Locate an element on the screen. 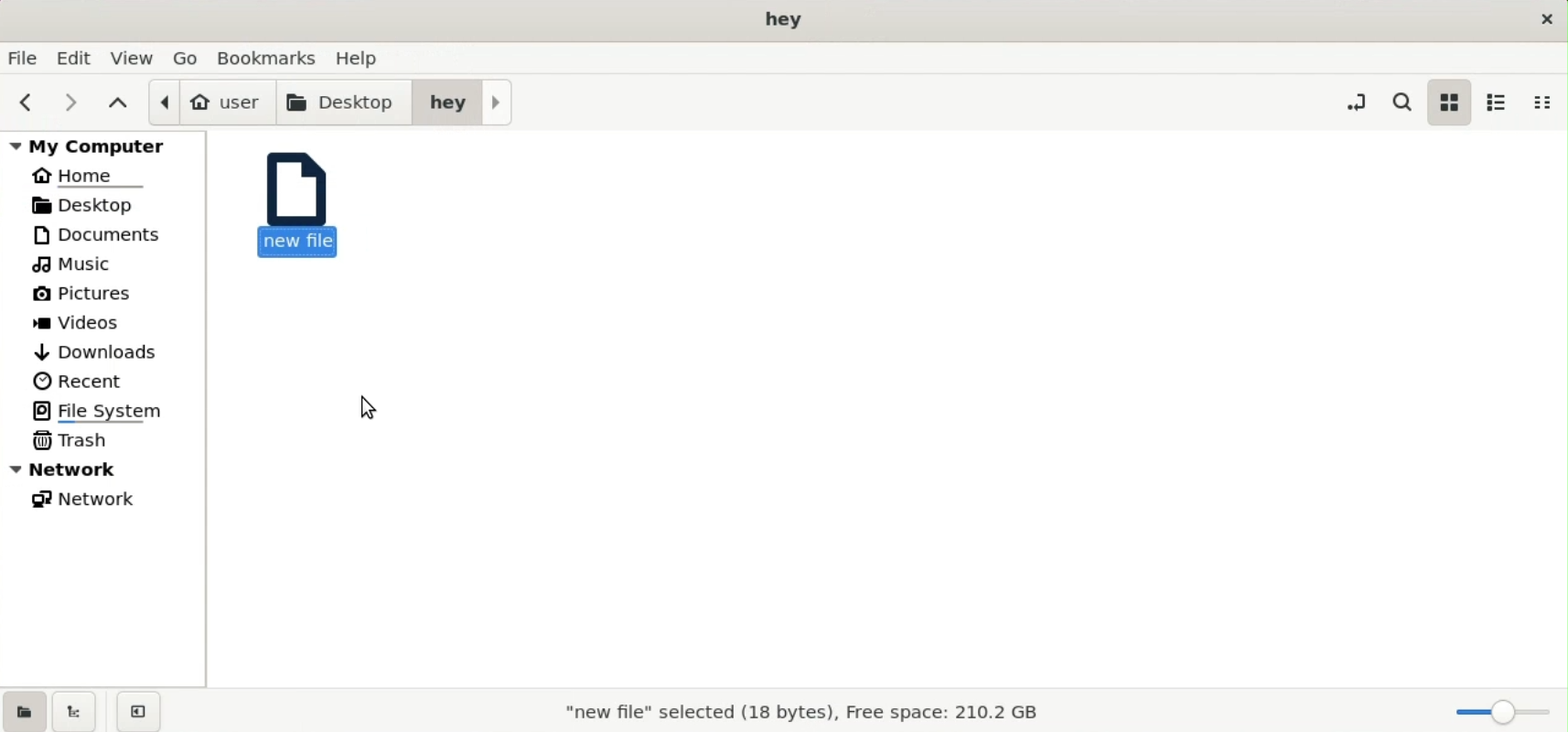 The height and width of the screenshot is (732, 1568). hey is located at coordinates (463, 101).